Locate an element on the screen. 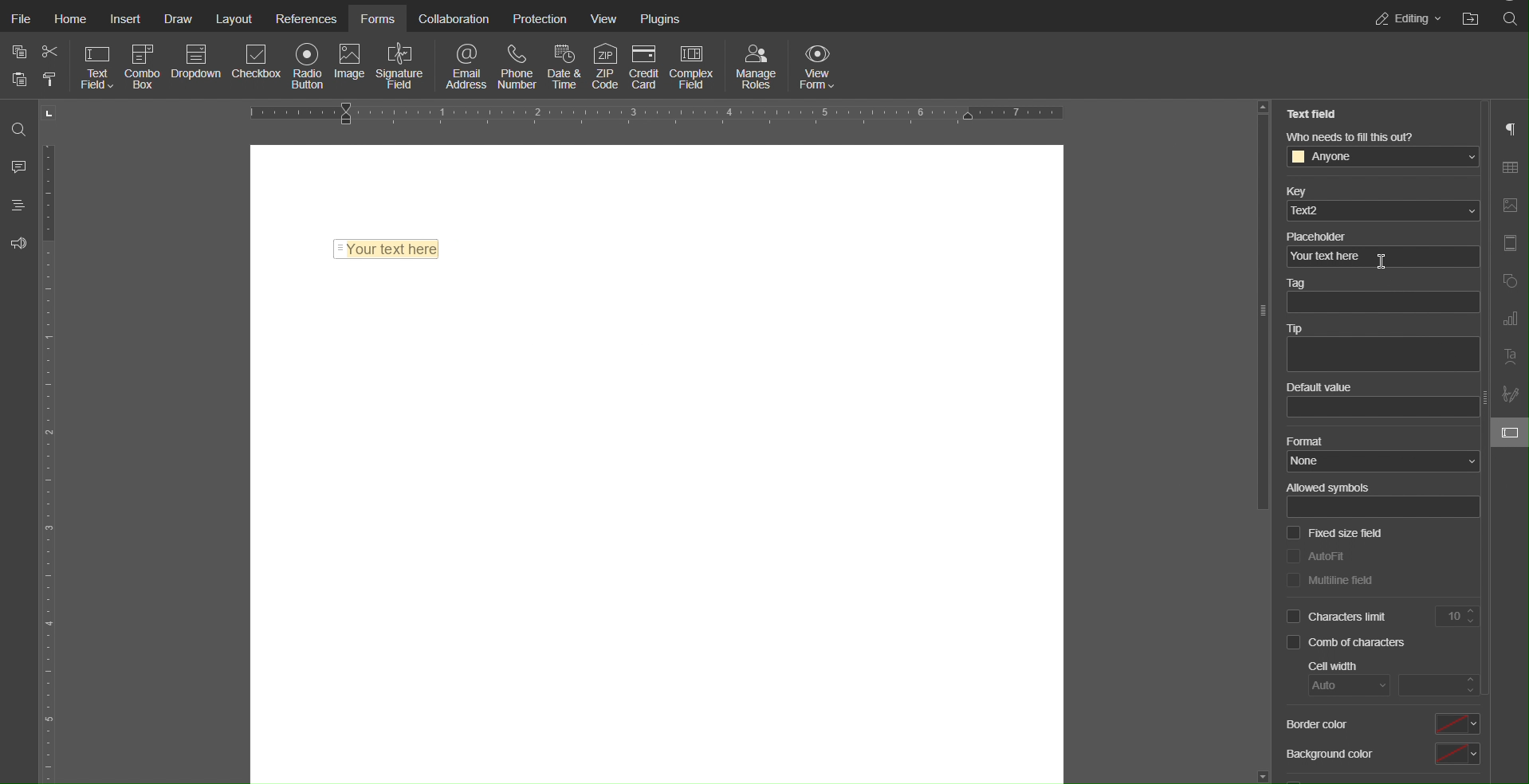 The image size is (1529, 784). Complex Field is located at coordinates (694, 67).